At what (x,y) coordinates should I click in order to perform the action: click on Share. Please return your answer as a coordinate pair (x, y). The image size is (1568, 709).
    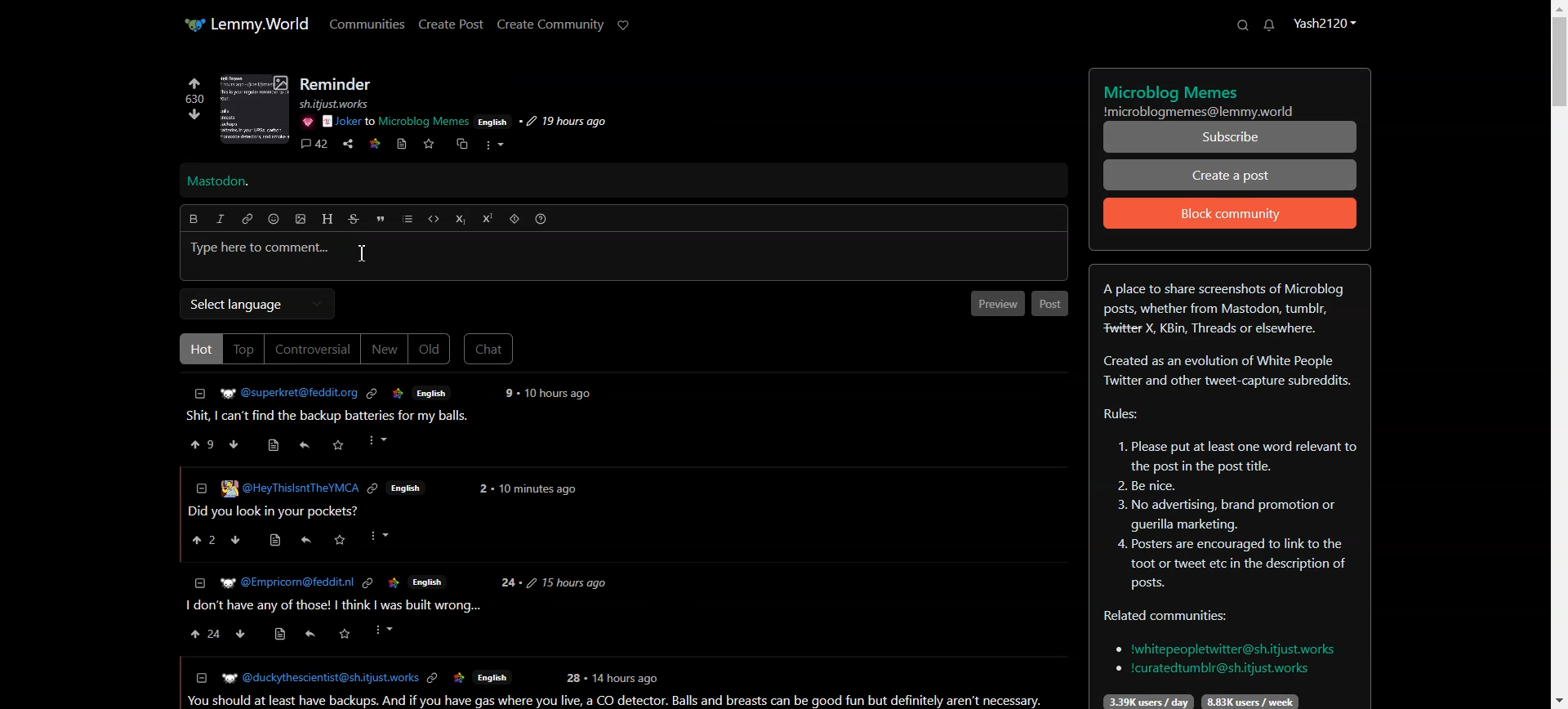
    Looking at the image, I should click on (348, 145).